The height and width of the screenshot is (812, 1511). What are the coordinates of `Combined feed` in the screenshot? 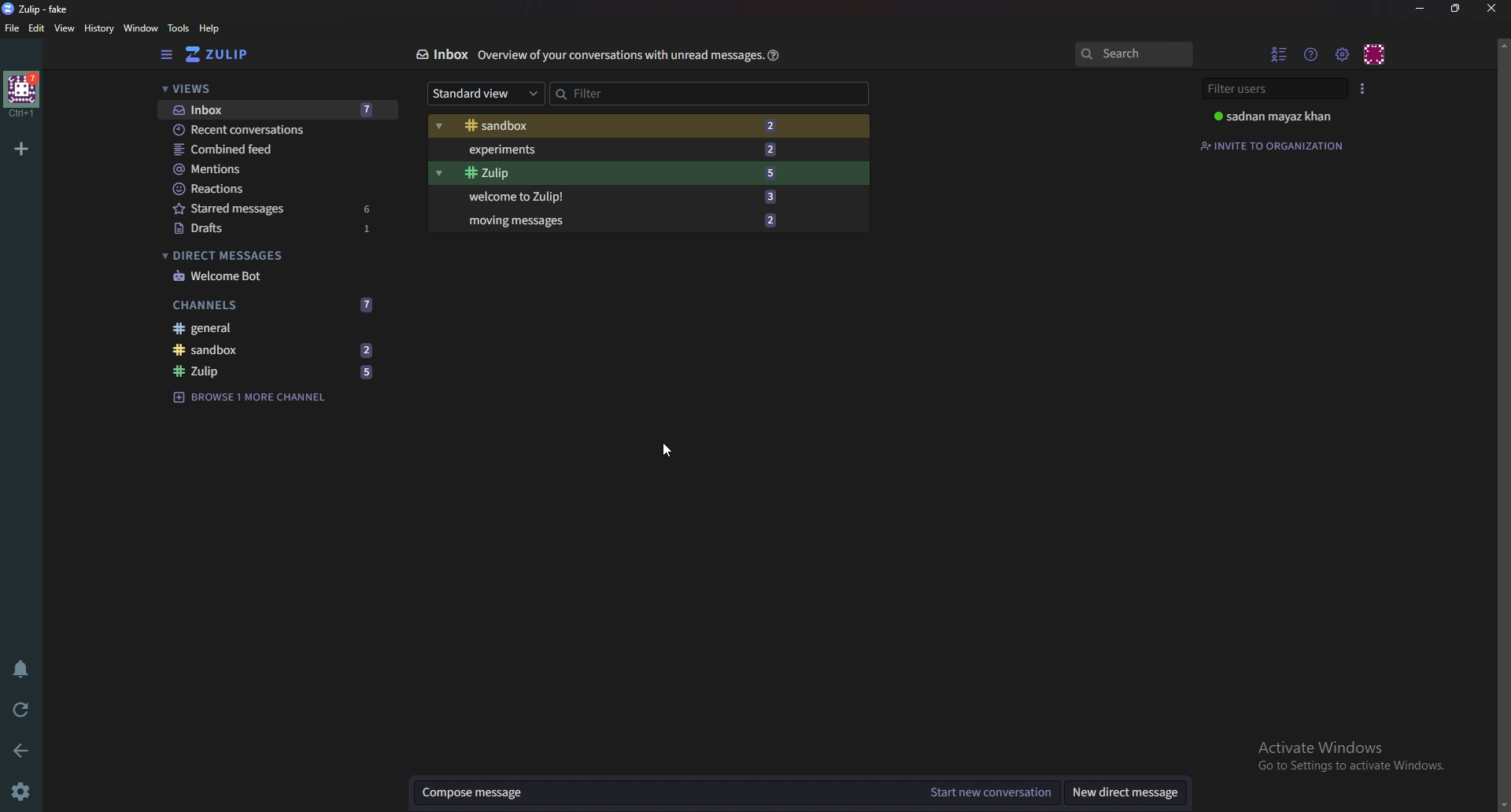 It's located at (268, 148).